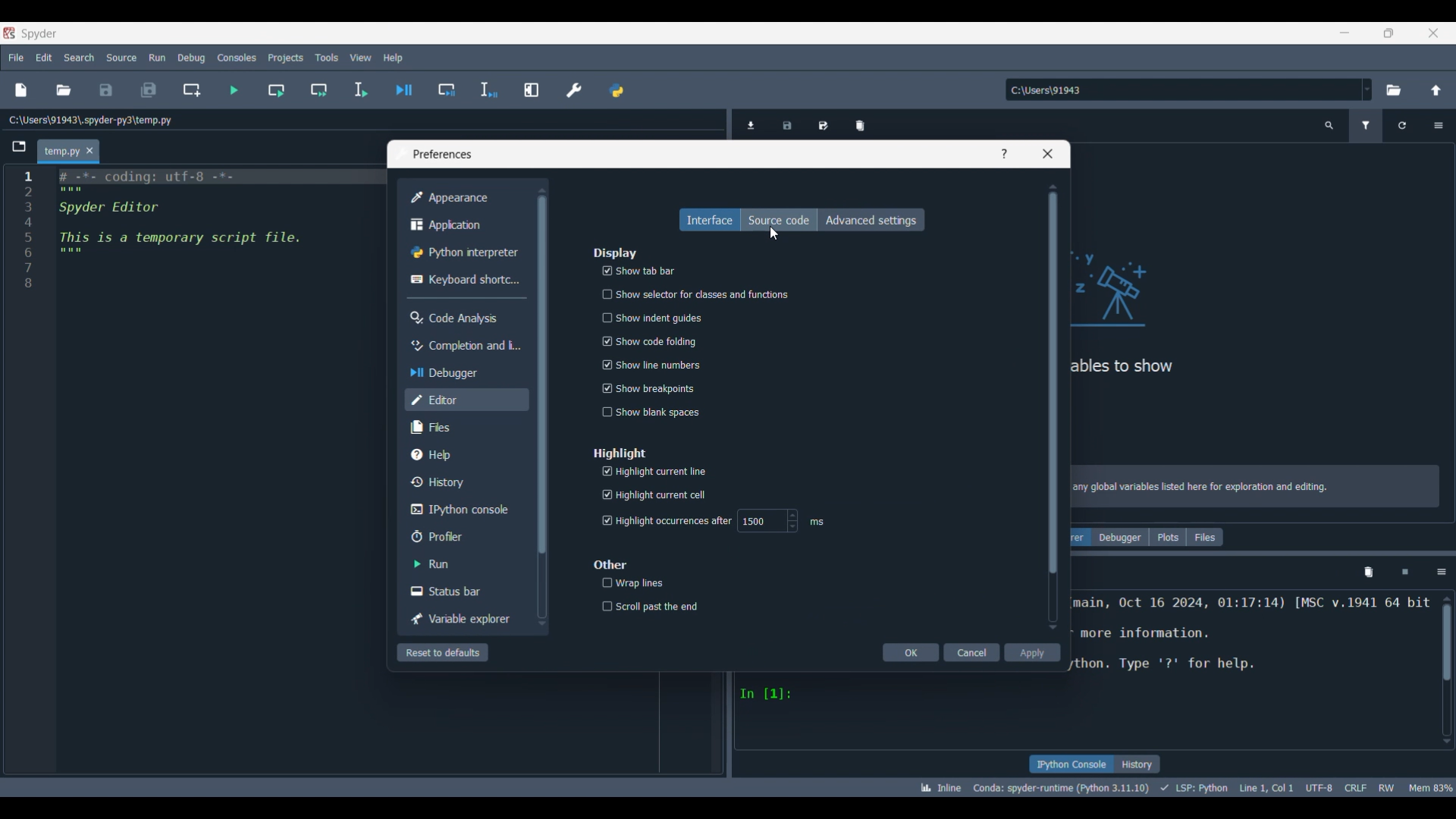 This screenshot has width=1456, height=819. I want to click on Show selector for classes and functions, so click(698, 295).